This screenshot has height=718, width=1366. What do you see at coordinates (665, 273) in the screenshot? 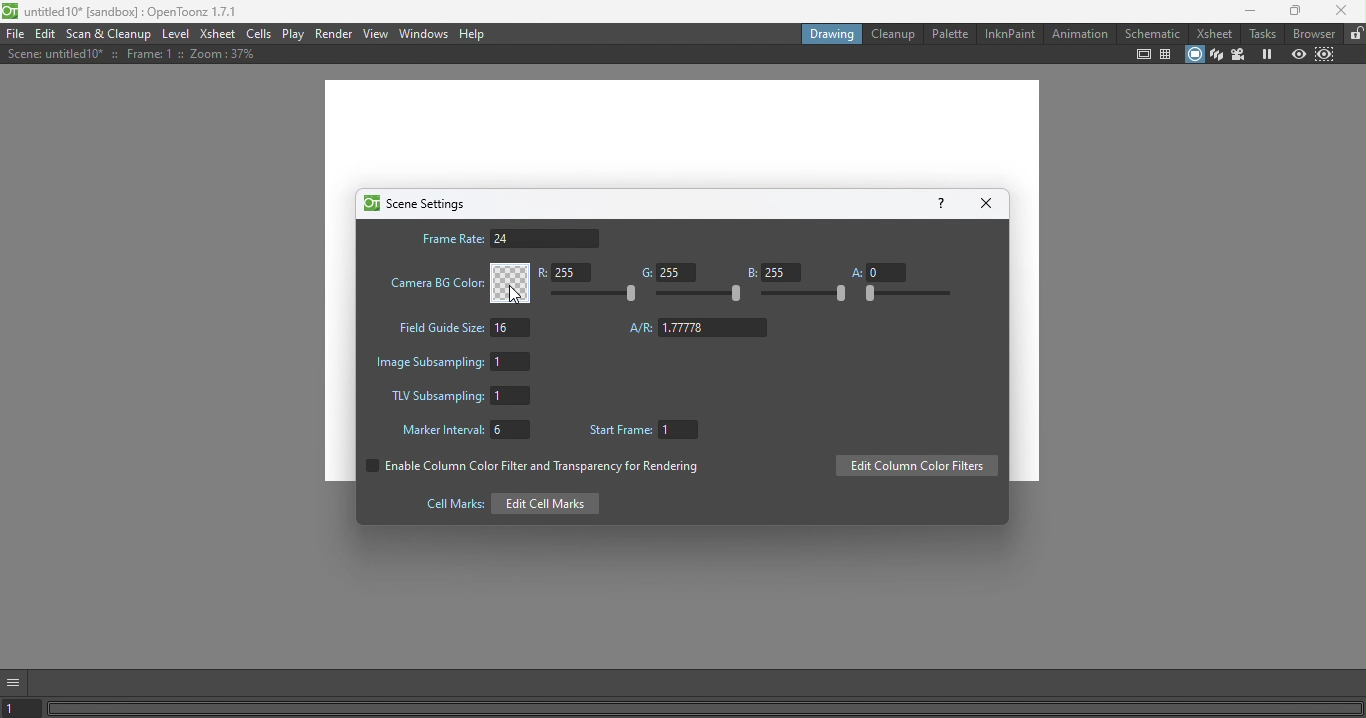
I see `G` at bounding box center [665, 273].